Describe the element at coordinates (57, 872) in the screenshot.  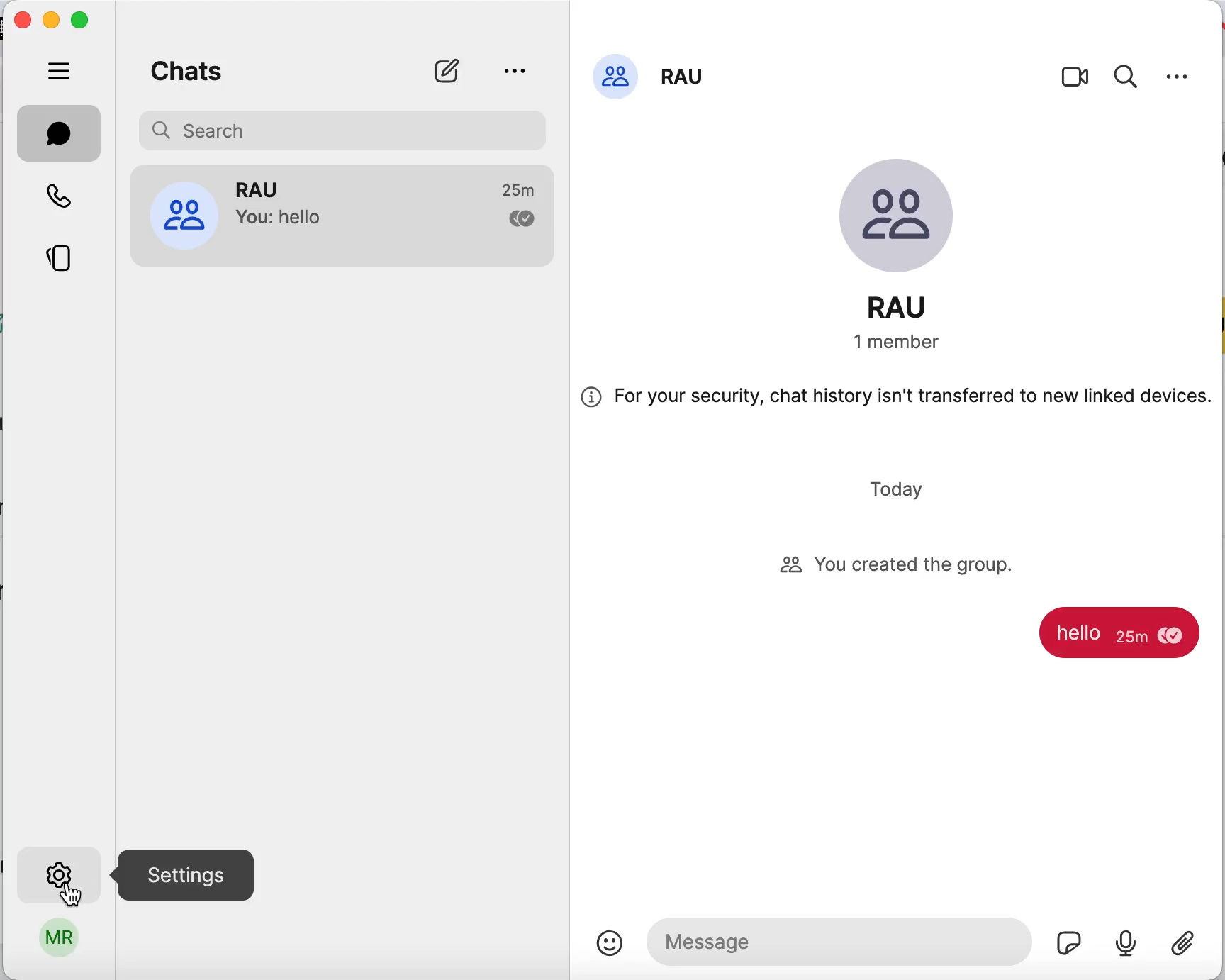
I see `settings` at that location.